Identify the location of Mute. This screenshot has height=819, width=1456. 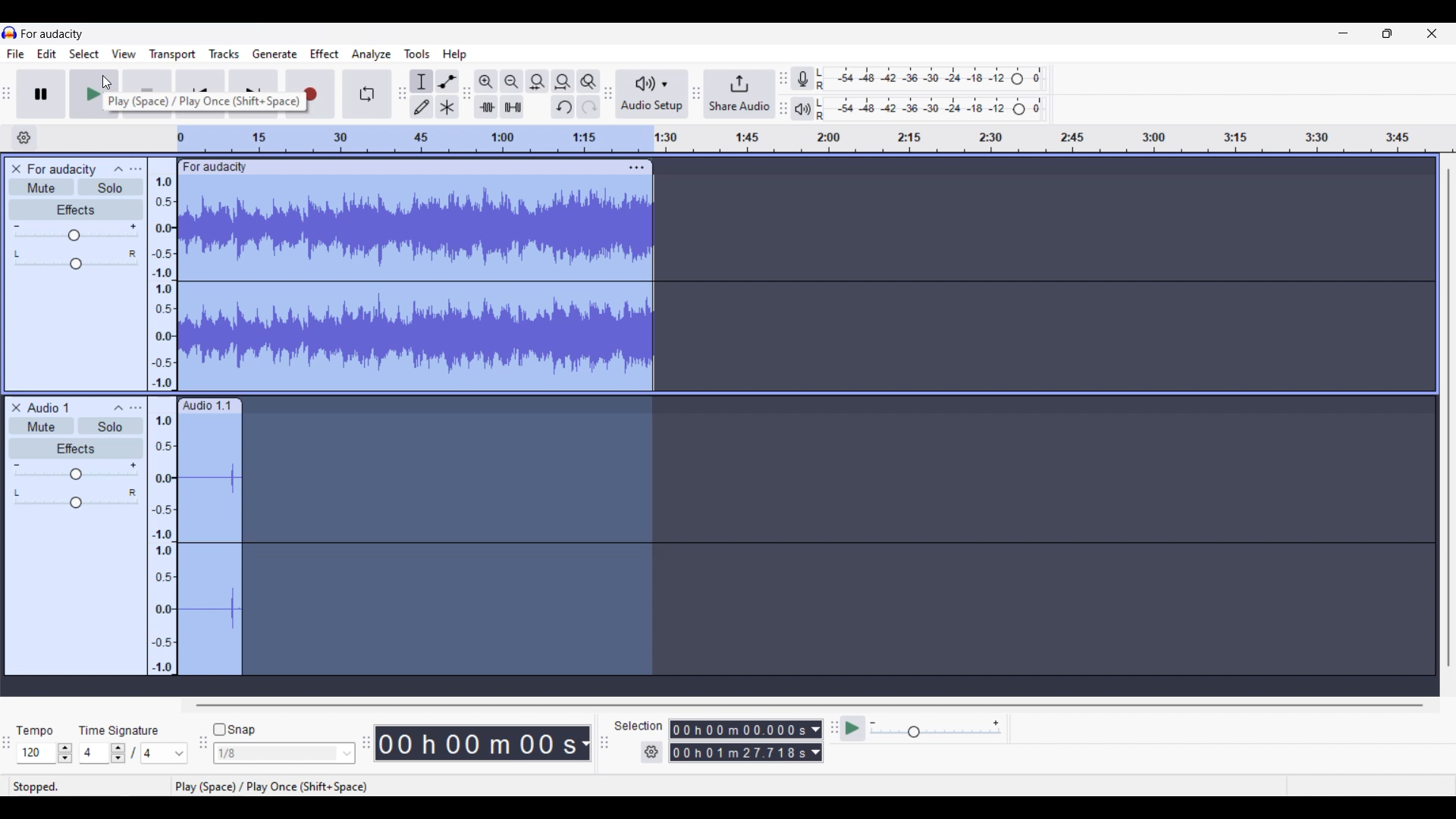
(41, 187).